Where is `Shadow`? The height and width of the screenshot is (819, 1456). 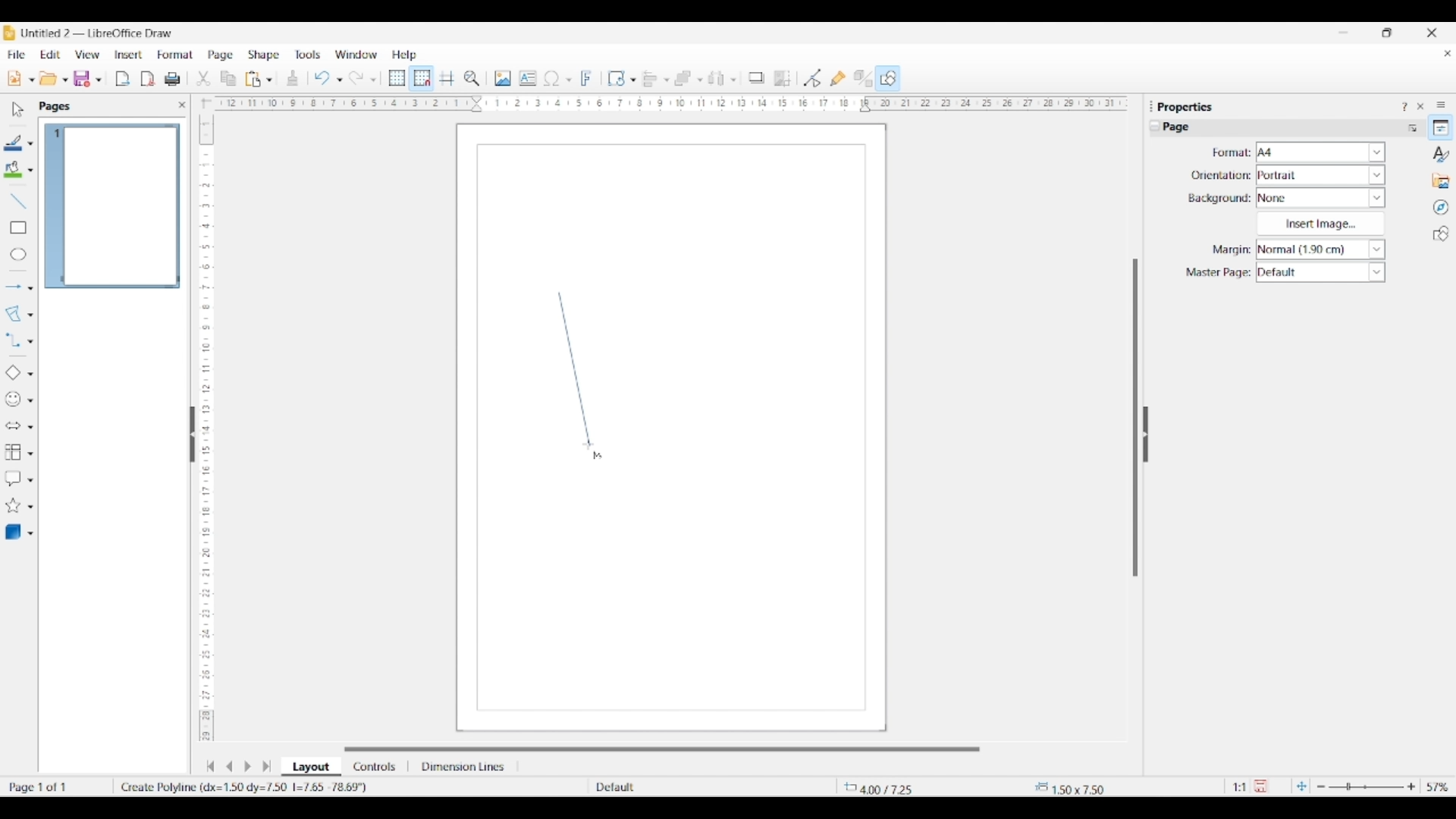 Shadow is located at coordinates (756, 77).